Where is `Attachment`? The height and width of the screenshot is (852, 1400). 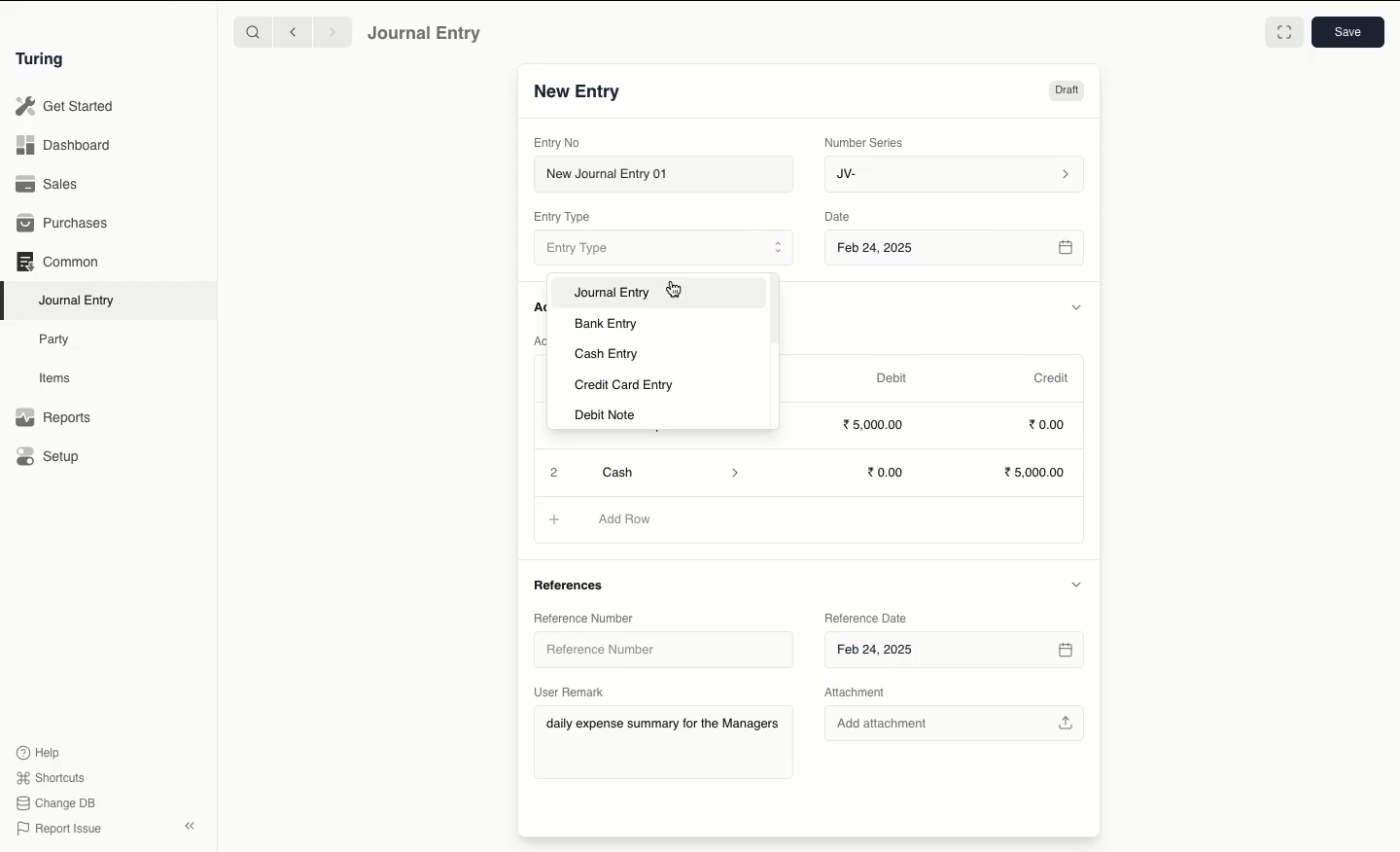
Attachment is located at coordinates (864, 692).